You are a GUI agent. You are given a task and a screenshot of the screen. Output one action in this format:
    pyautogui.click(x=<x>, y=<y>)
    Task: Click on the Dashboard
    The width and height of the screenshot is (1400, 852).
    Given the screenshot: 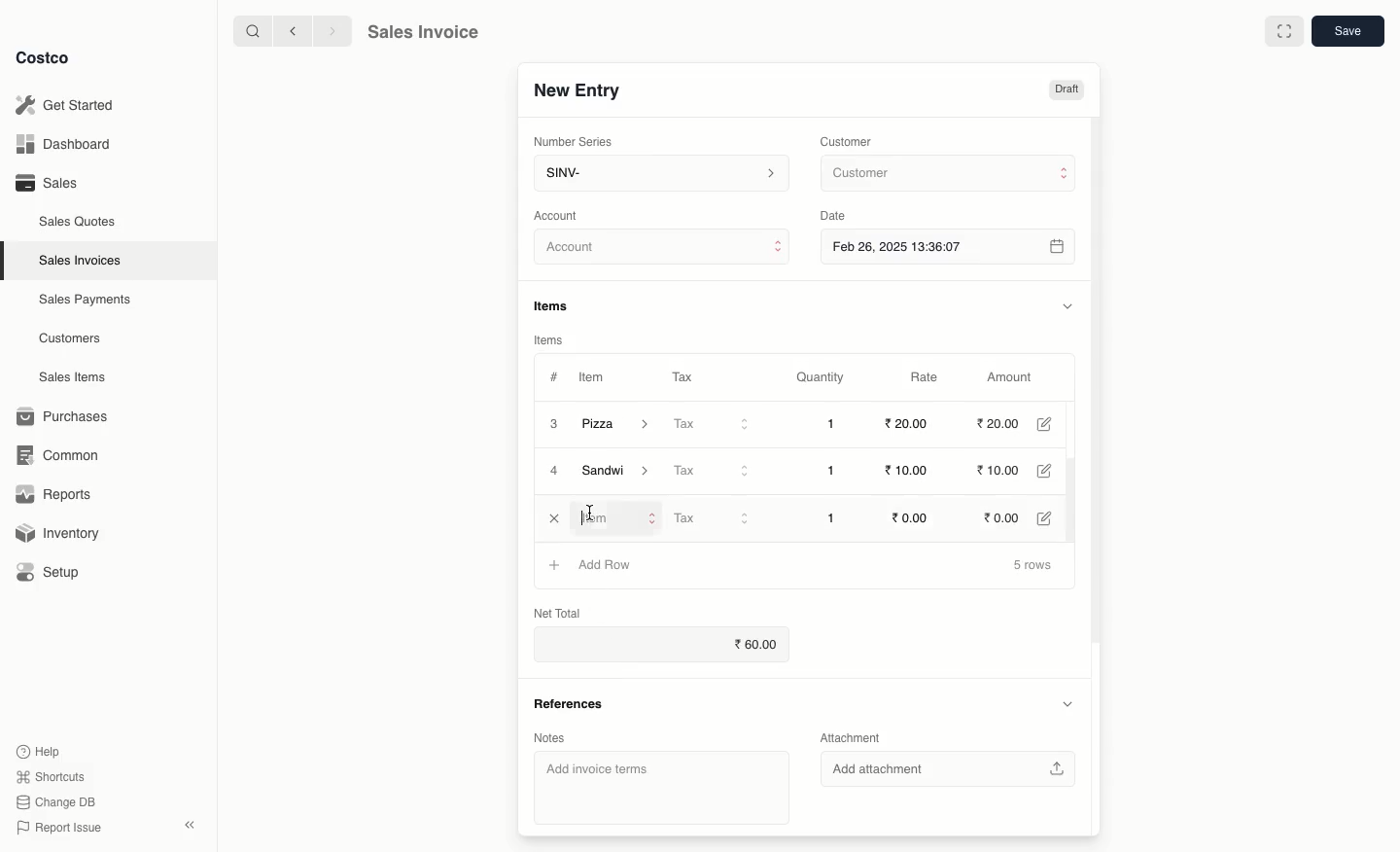 What is the action you would take?
    pyautogui.click(x=60, y=145)
    